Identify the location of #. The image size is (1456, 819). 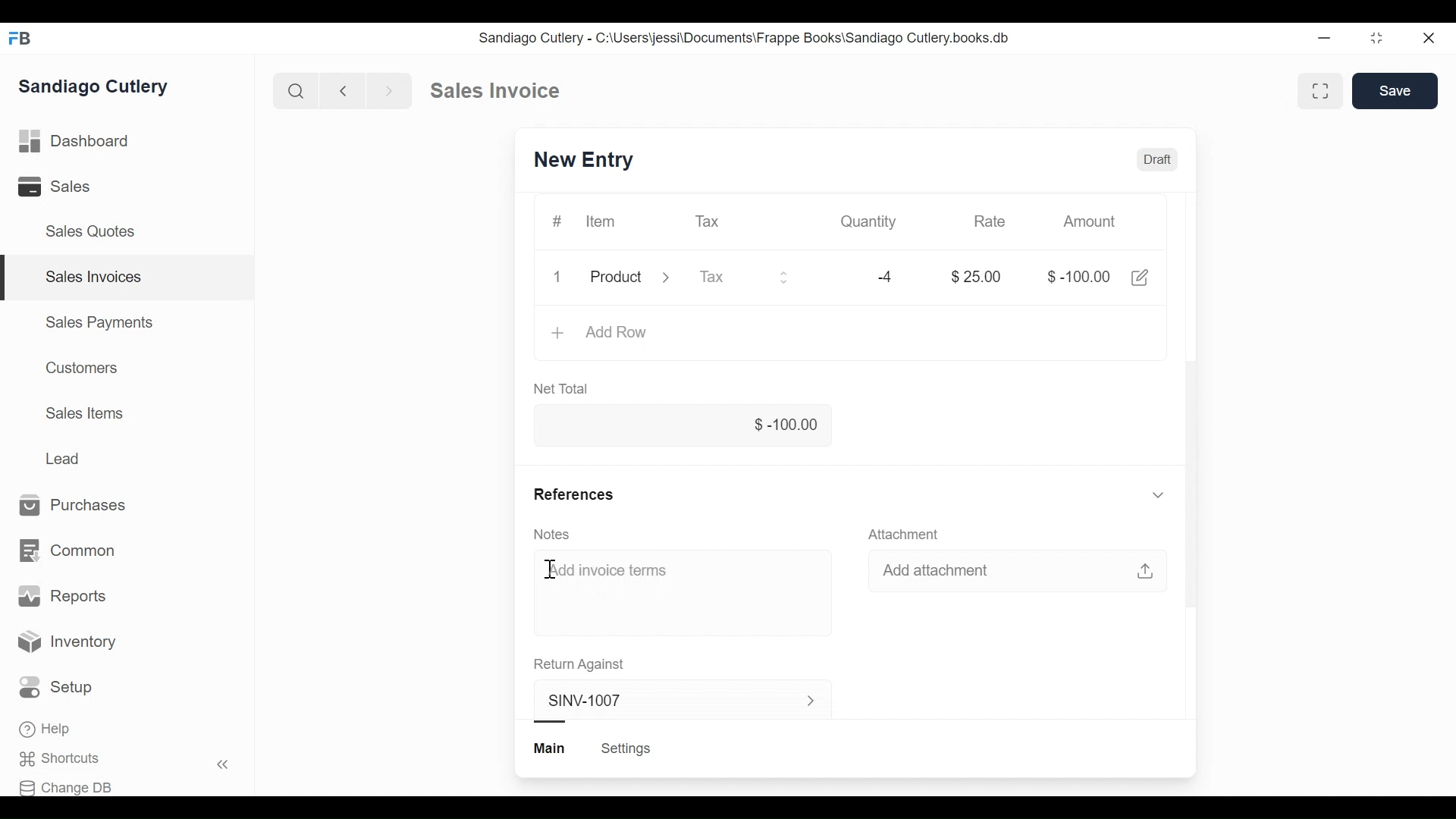
(556, 221).